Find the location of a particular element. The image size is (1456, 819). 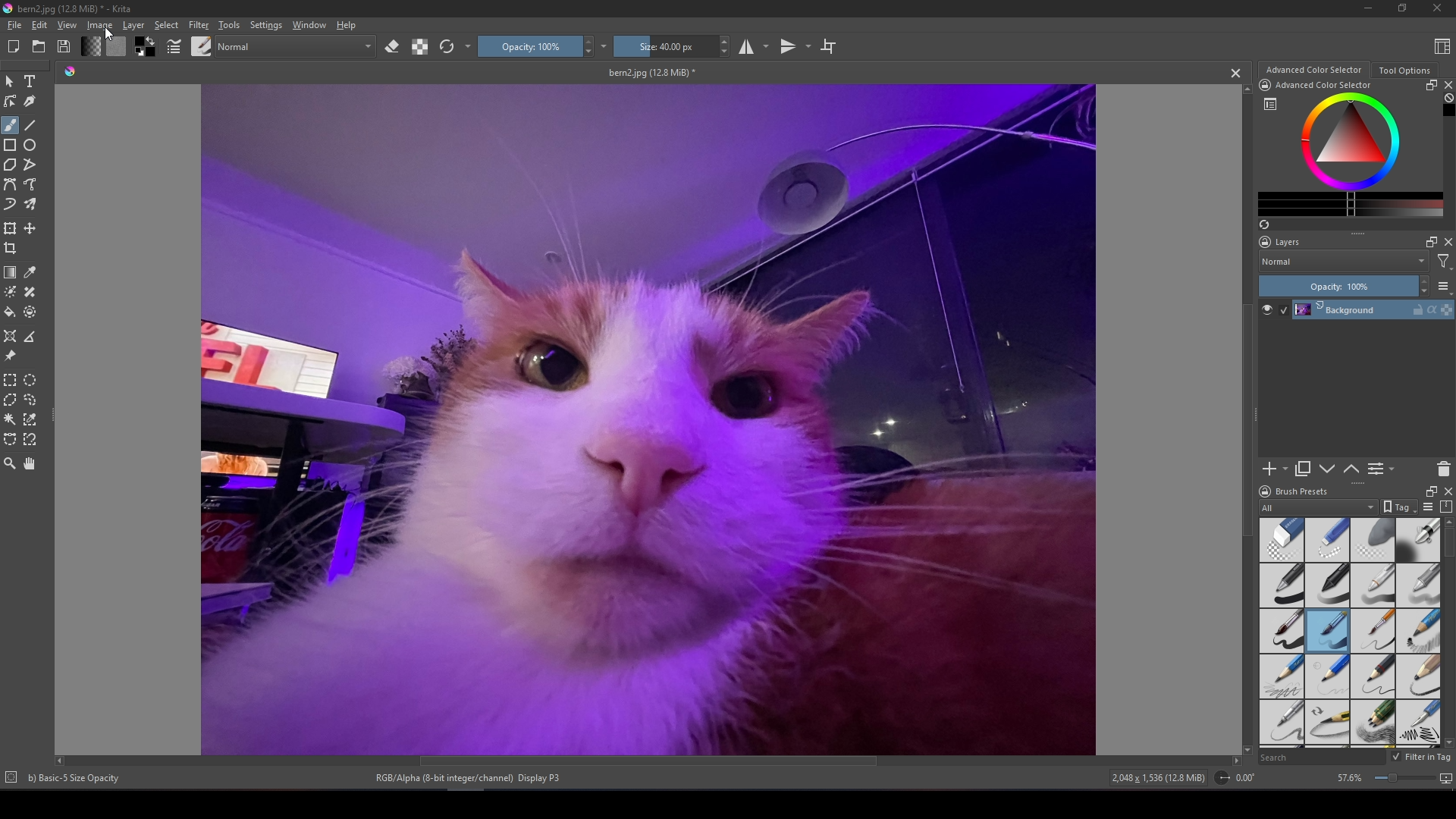

Tool options is located at coordinates (1405, 70).